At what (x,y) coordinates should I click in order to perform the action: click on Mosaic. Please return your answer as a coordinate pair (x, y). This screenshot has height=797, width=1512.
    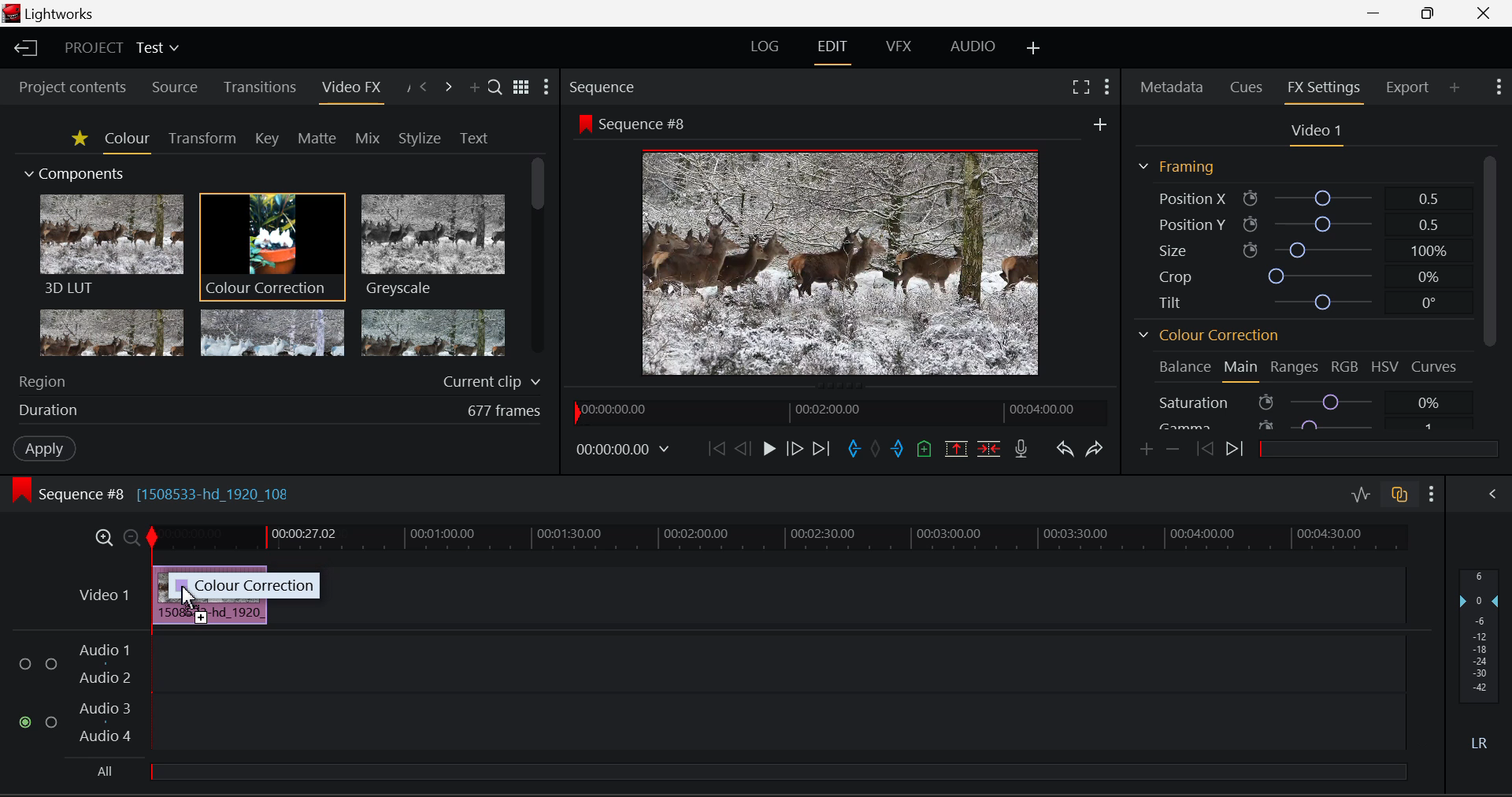
    Looking at the image, I should click on (270, 332).